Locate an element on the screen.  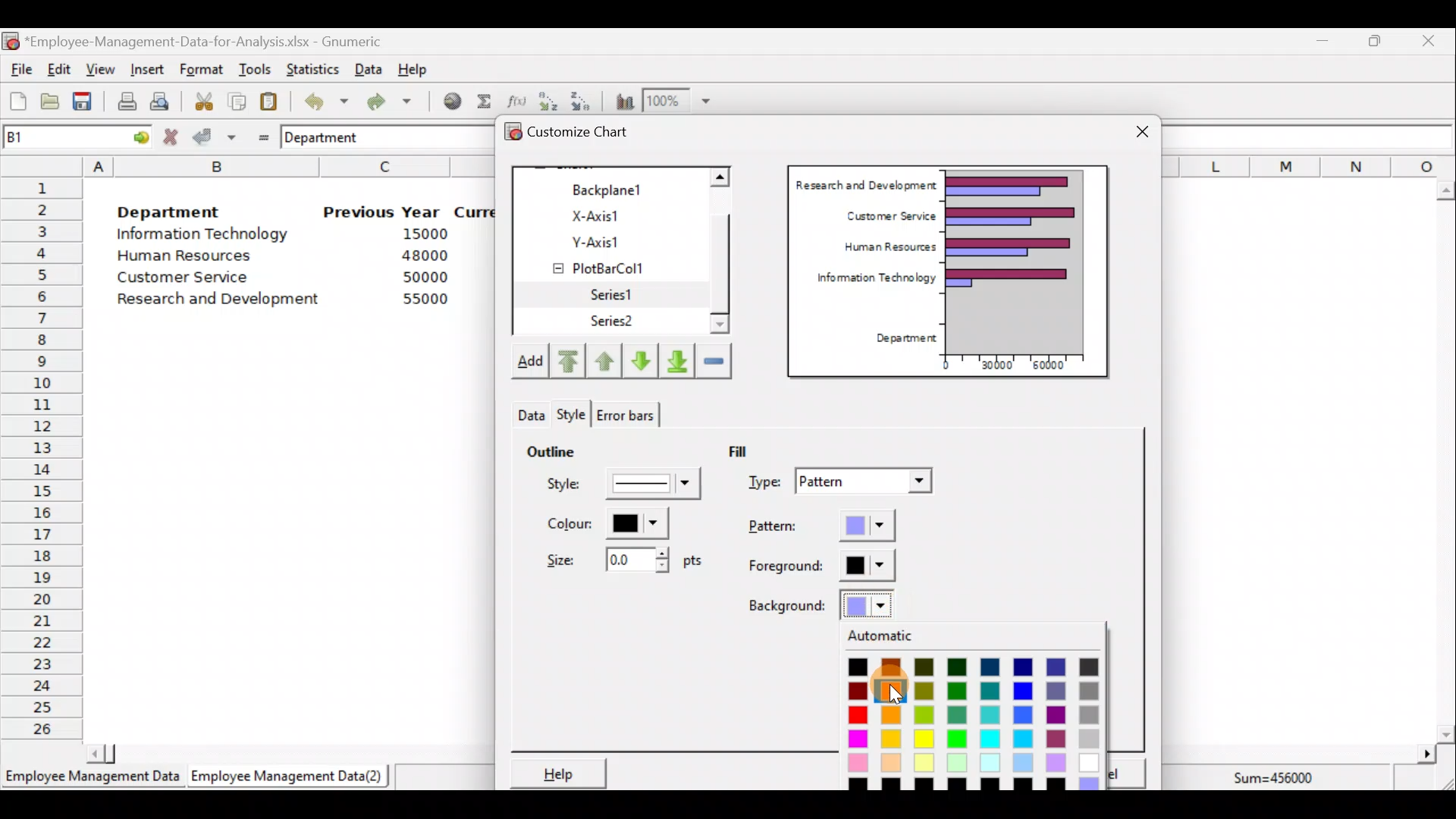
Create a new workbook is located at coordinates (18, 101).